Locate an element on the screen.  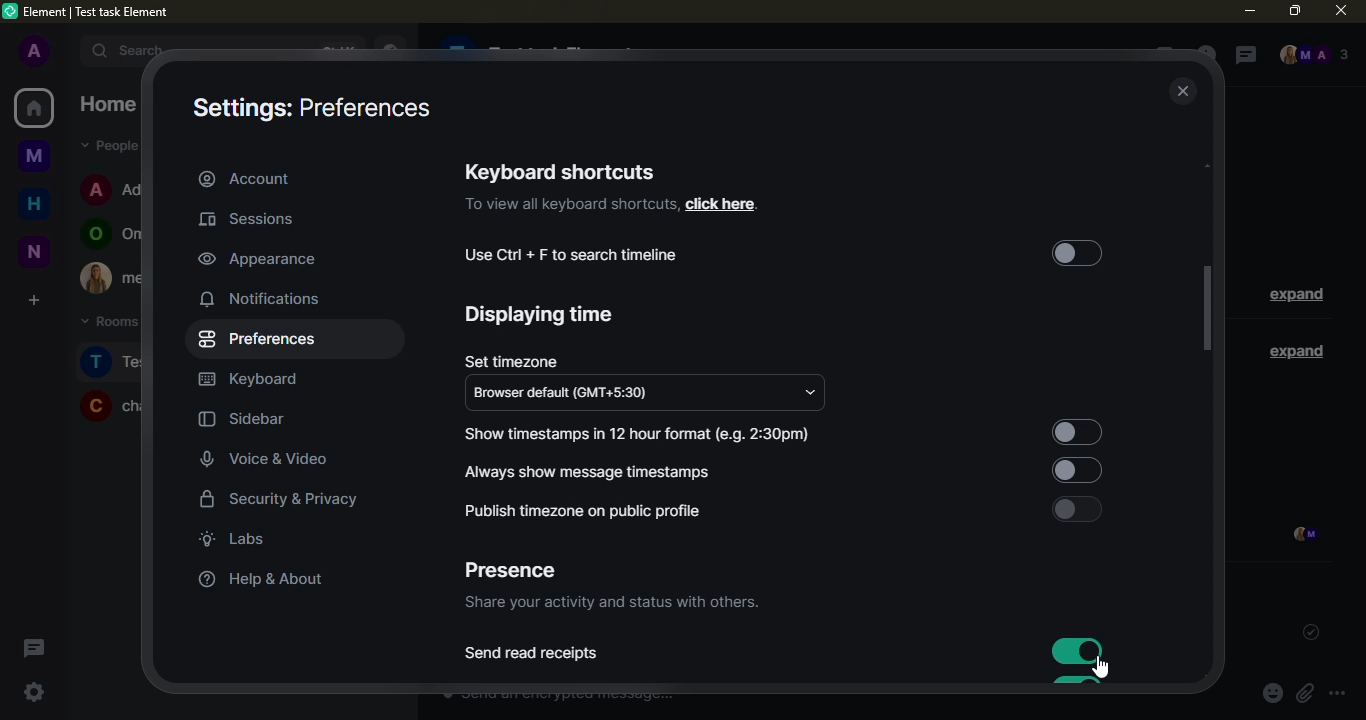
voice video is located at coordinates (278, 457).